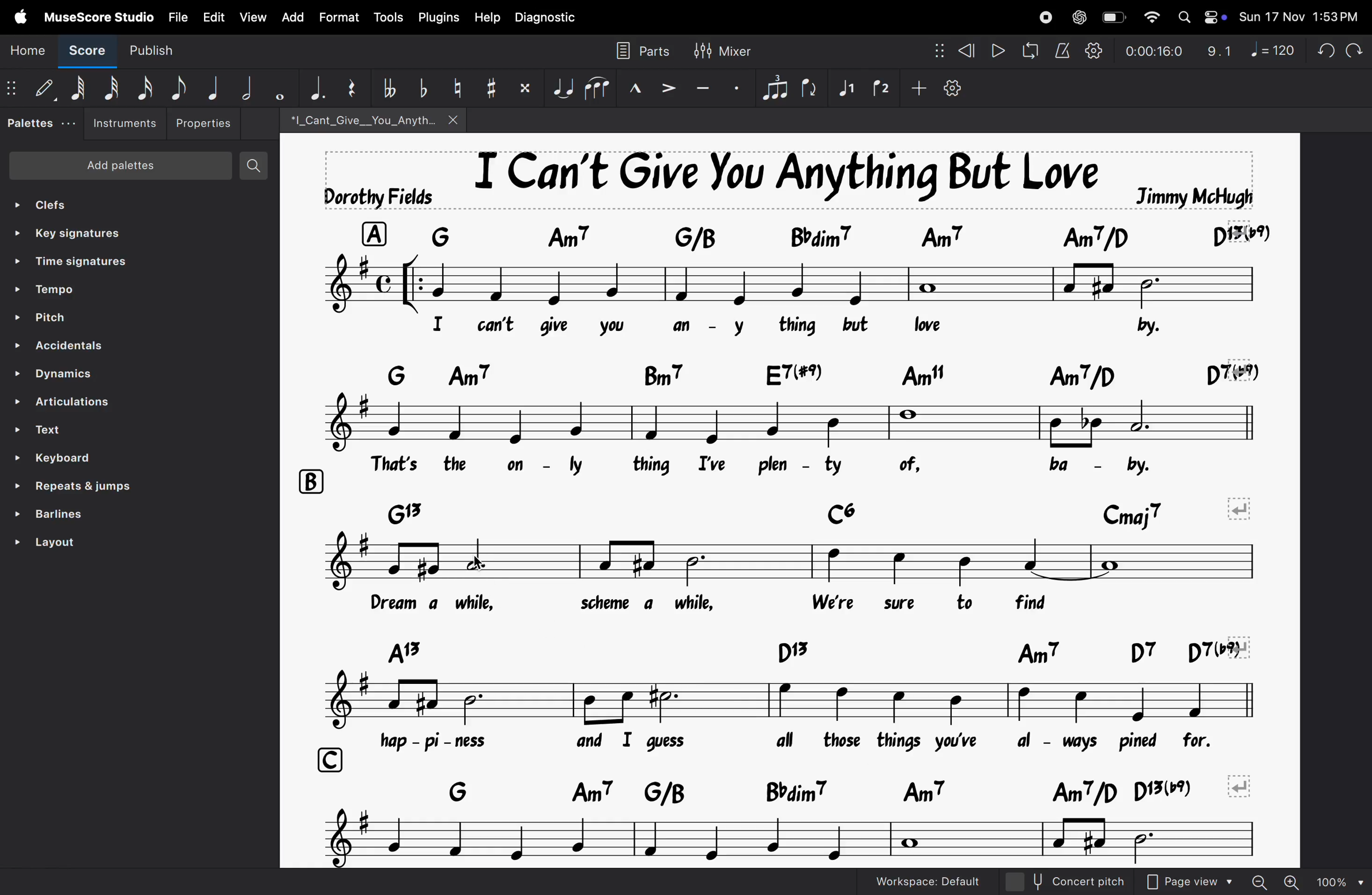 The image size is (1372, 895). What do you see at coordinates (778, 841) in the screenshot?
I see `notes` at bounding box center [778, 841].